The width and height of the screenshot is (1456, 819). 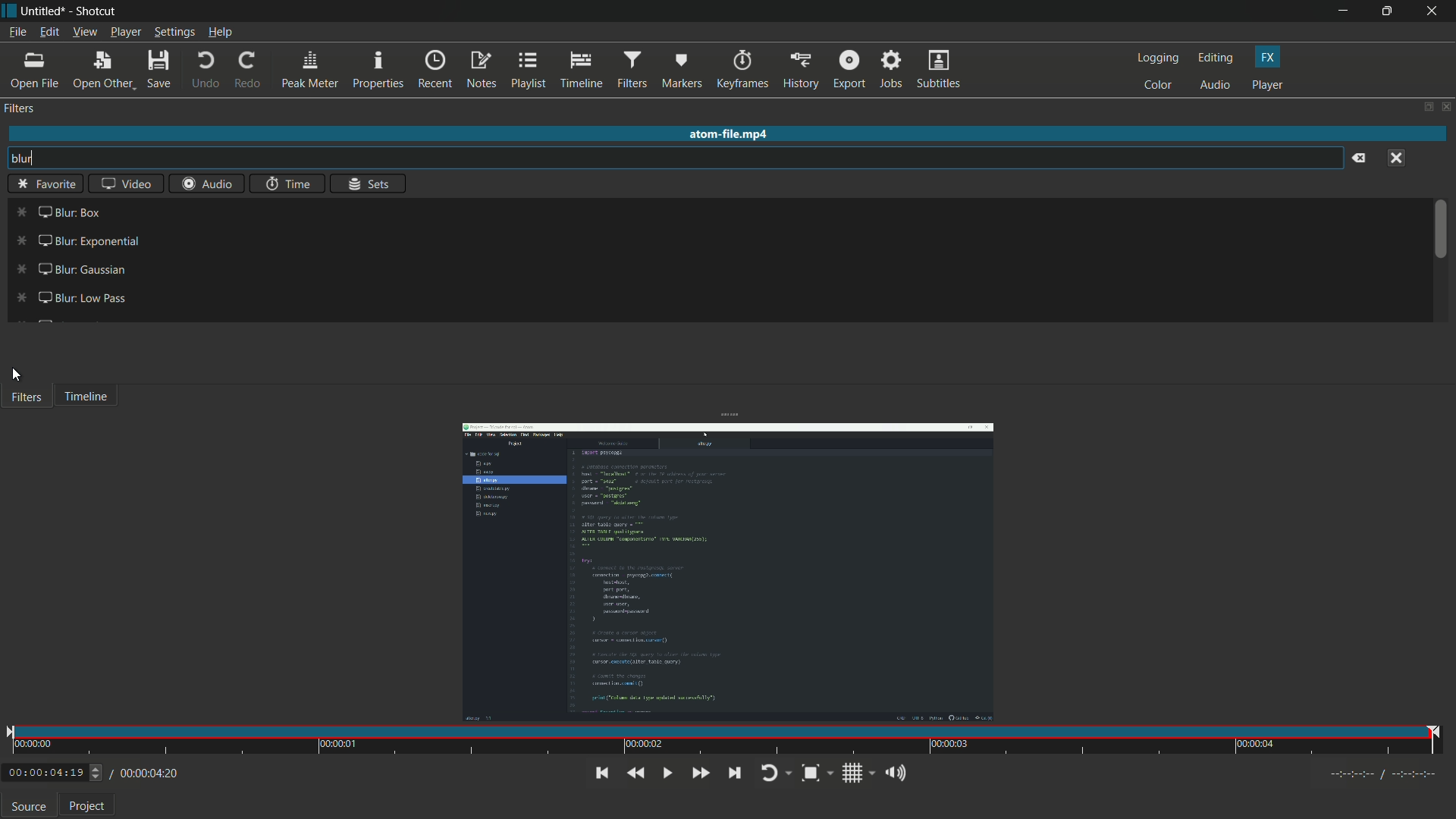 I want to click on skip to the next point, so click(x=739, y=773).